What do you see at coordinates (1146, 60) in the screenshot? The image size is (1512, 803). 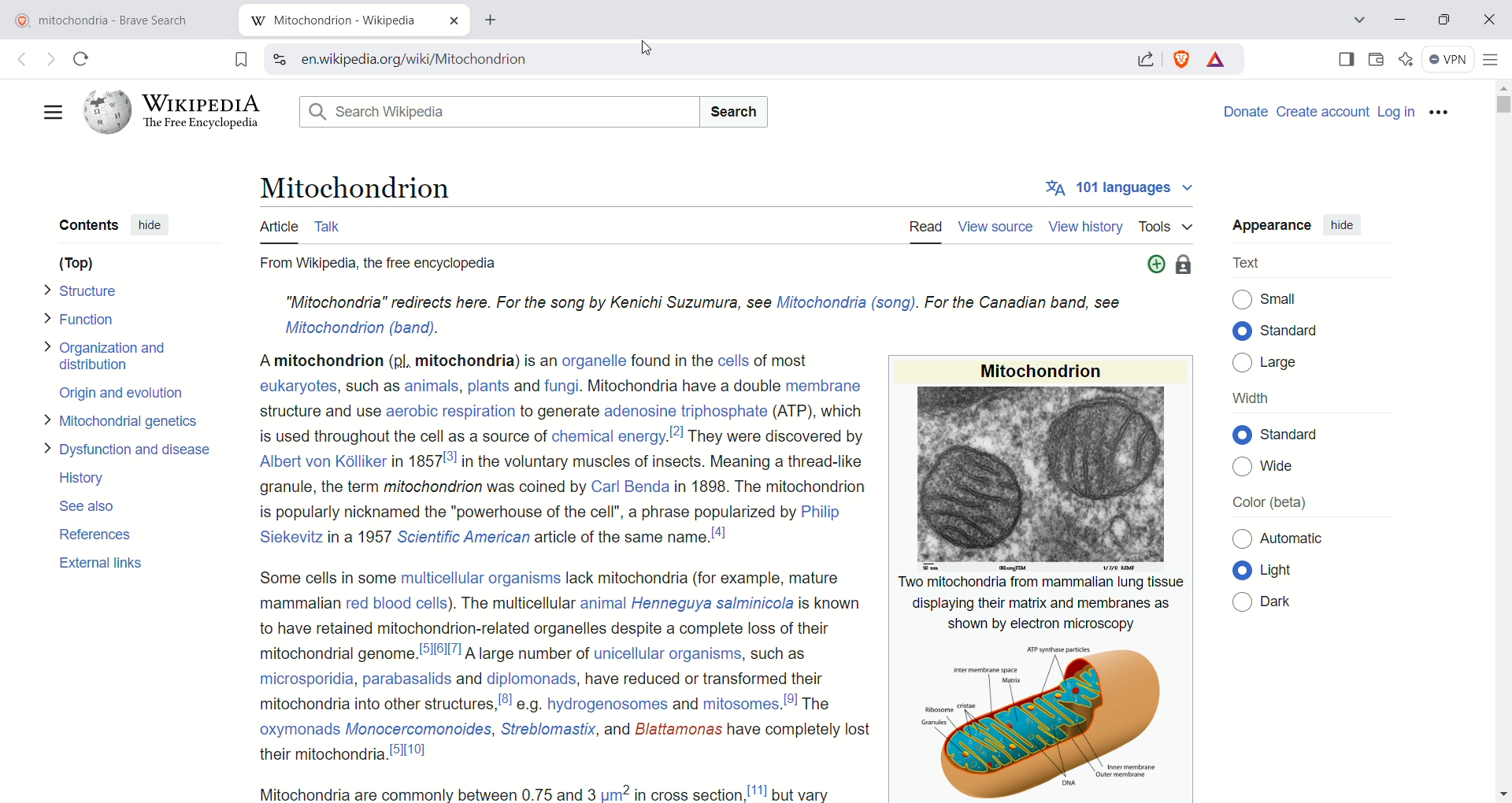 I see `share` at bounding box center [1146, 60].